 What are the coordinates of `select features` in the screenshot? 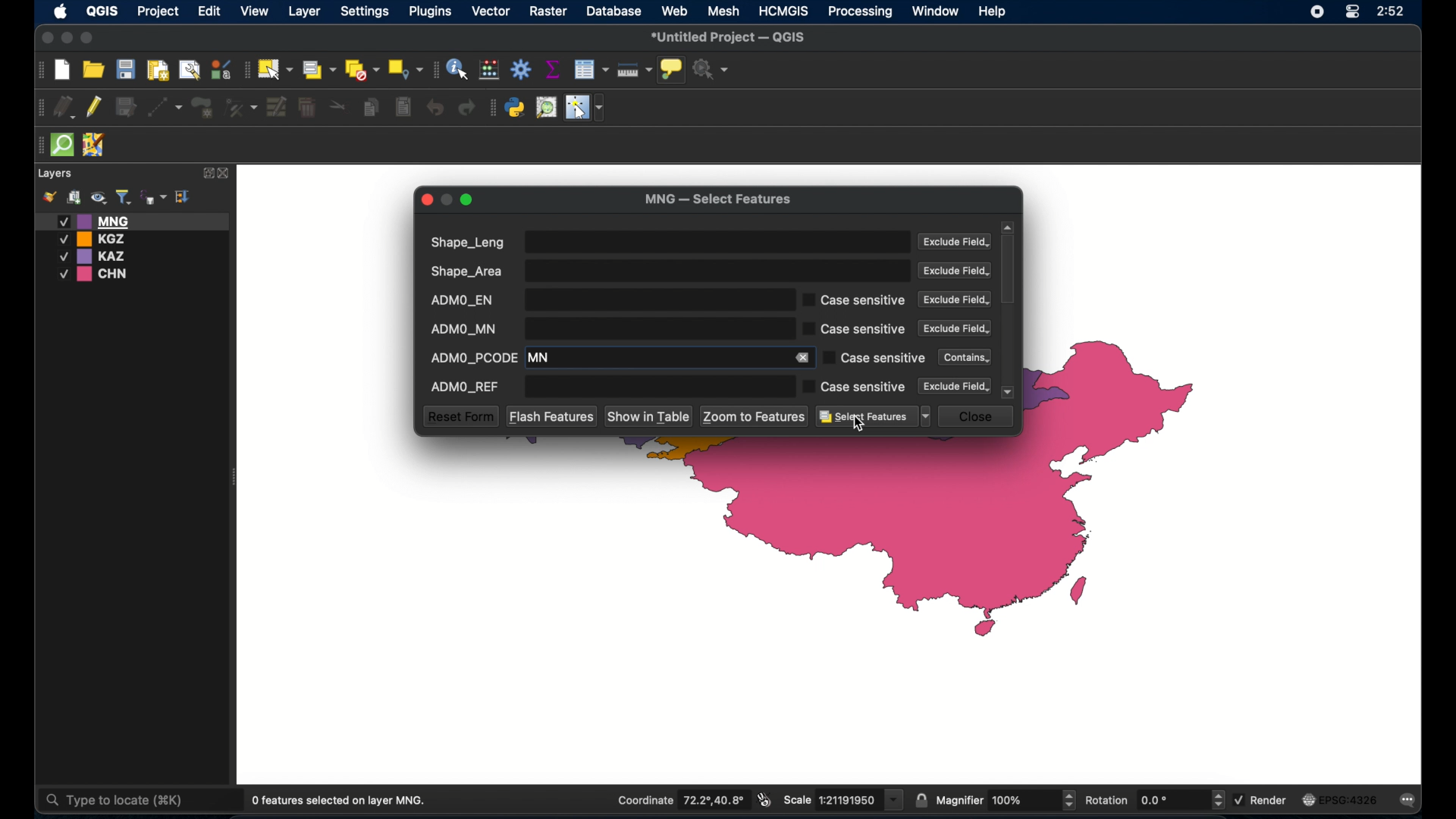 It's located at (874, 417).